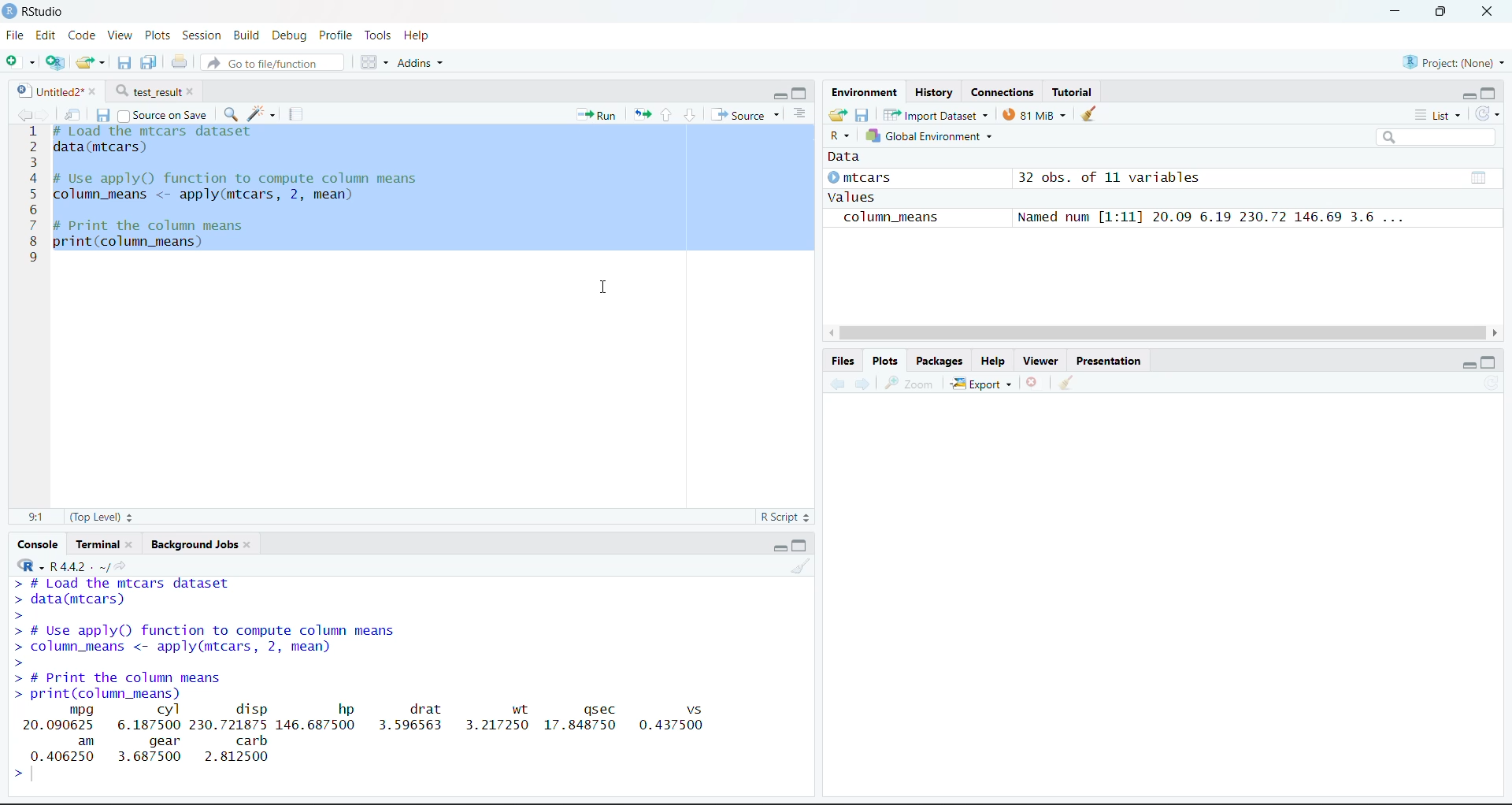 The image size is (1512, 805). Describe the element at coordinates (1390, 12) in the screenshot. I see `Minimize` at that location.